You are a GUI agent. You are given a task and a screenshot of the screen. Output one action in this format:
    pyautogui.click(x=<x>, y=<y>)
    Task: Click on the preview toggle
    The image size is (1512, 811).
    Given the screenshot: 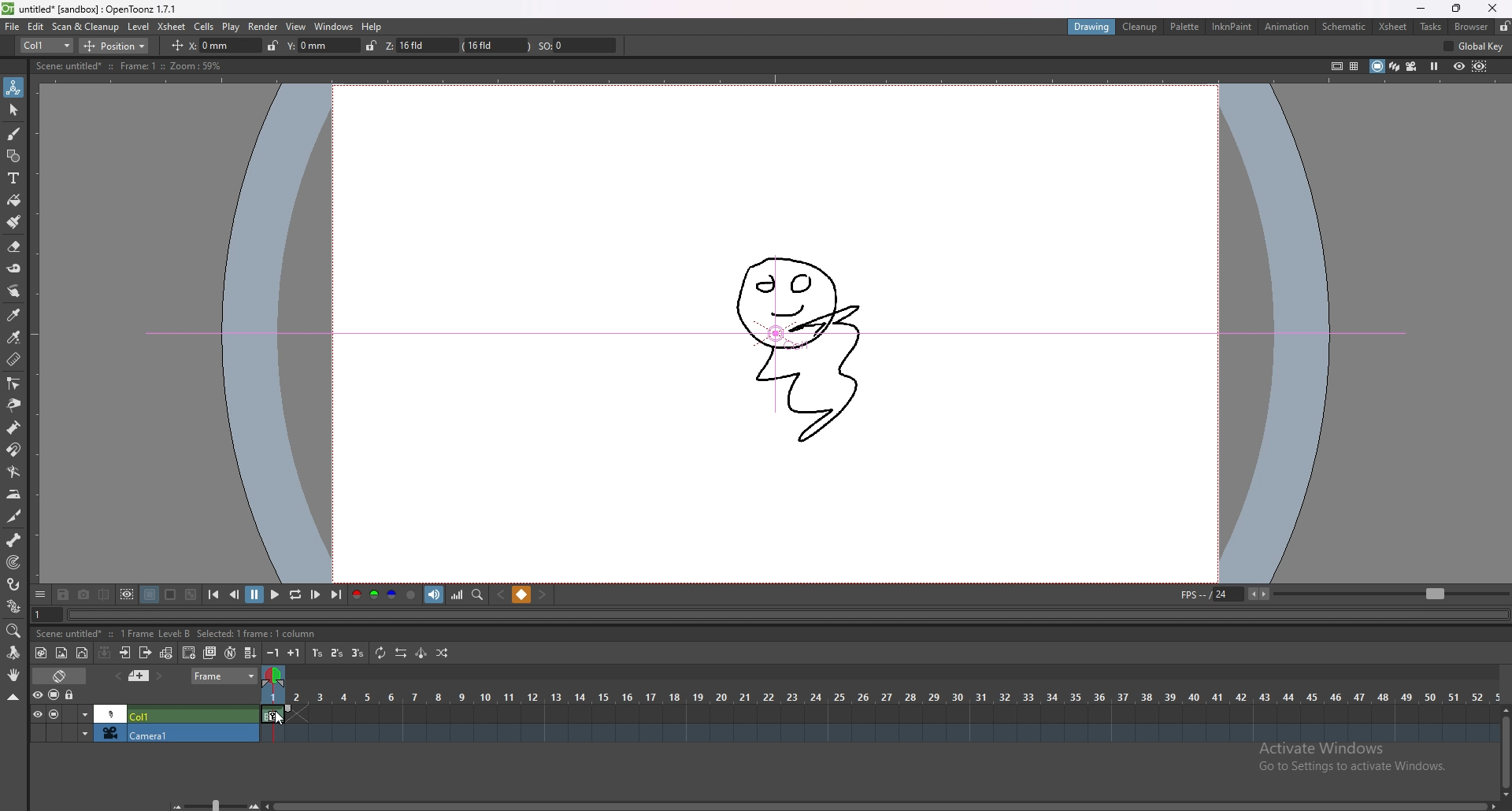 What is the action you would take?
    pyautogui.click(x=35, y=694)
    